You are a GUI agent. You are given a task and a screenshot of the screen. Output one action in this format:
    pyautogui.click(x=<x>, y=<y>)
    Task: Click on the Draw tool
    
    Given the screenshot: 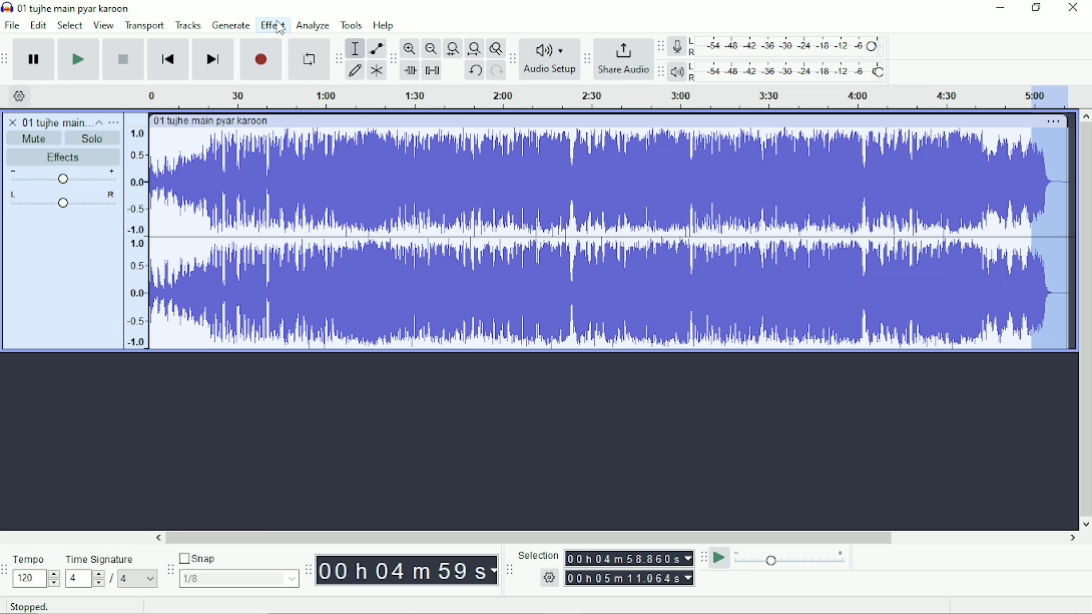 What is the action you would take?
    pyautogui.click(x=354, y=70)
    